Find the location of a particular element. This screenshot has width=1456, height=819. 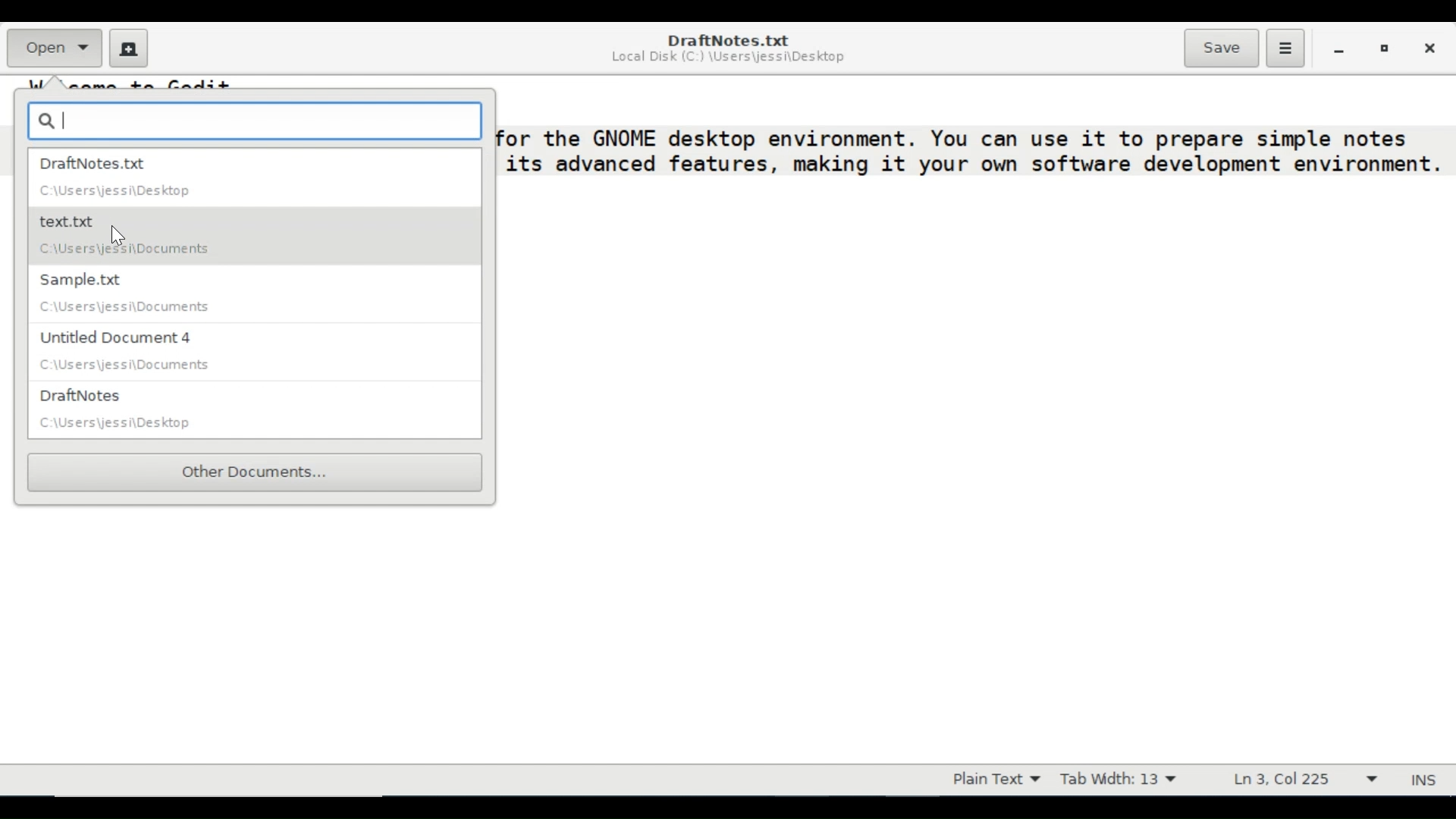

Restore is located at coordinates (1385, 47).